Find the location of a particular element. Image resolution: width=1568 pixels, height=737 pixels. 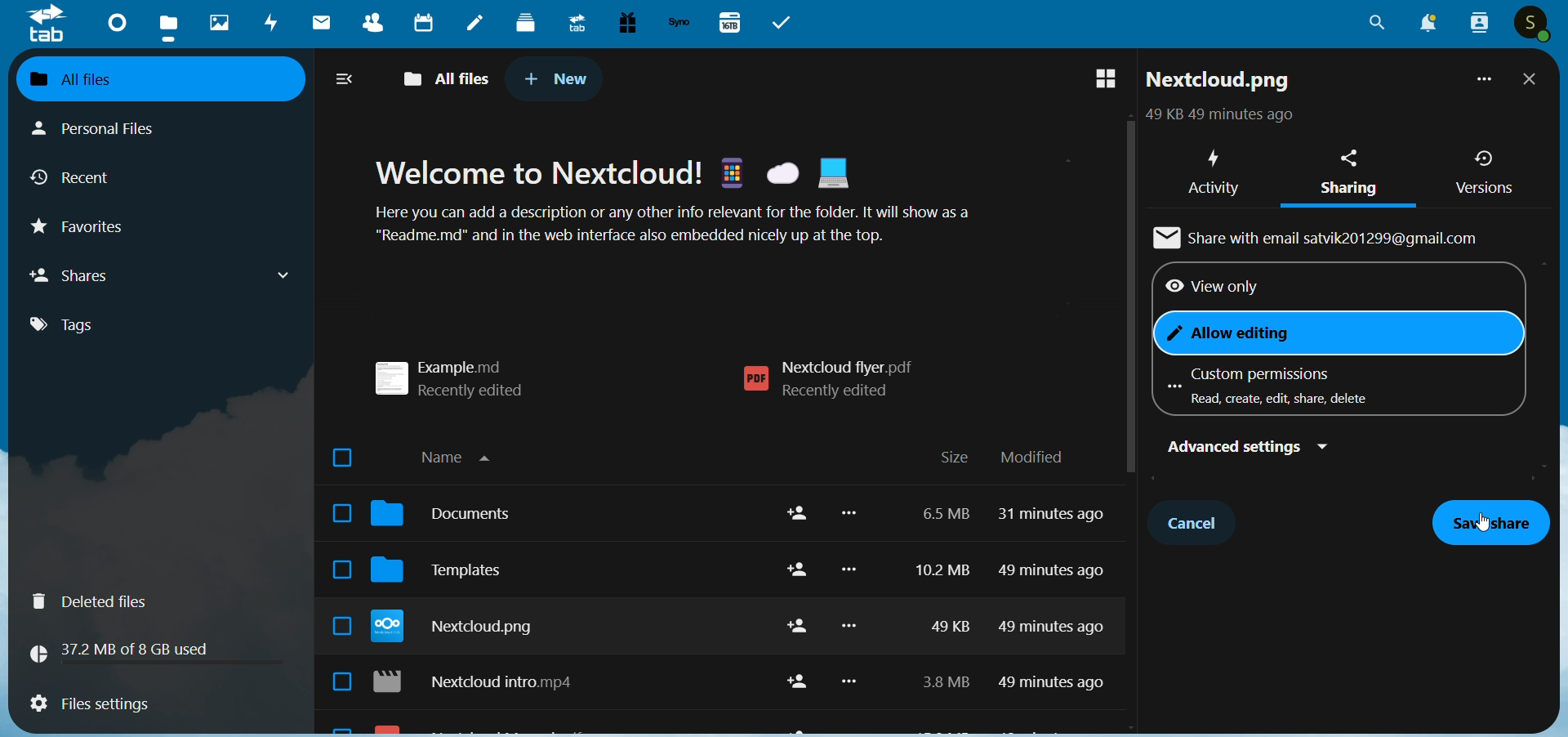

more is located at coordinates (853, 607).